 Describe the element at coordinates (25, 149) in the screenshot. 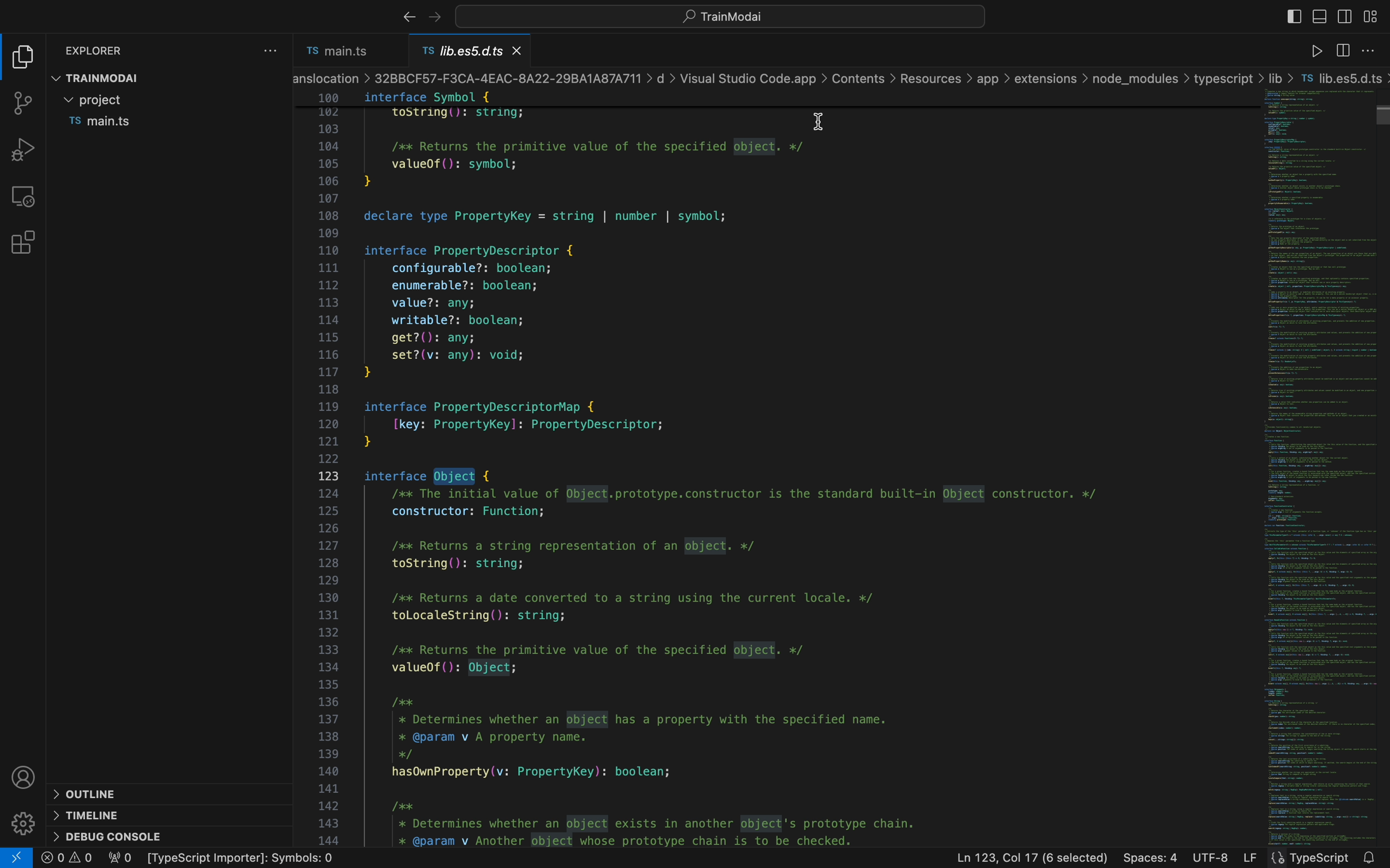

I see `debug` at that location.